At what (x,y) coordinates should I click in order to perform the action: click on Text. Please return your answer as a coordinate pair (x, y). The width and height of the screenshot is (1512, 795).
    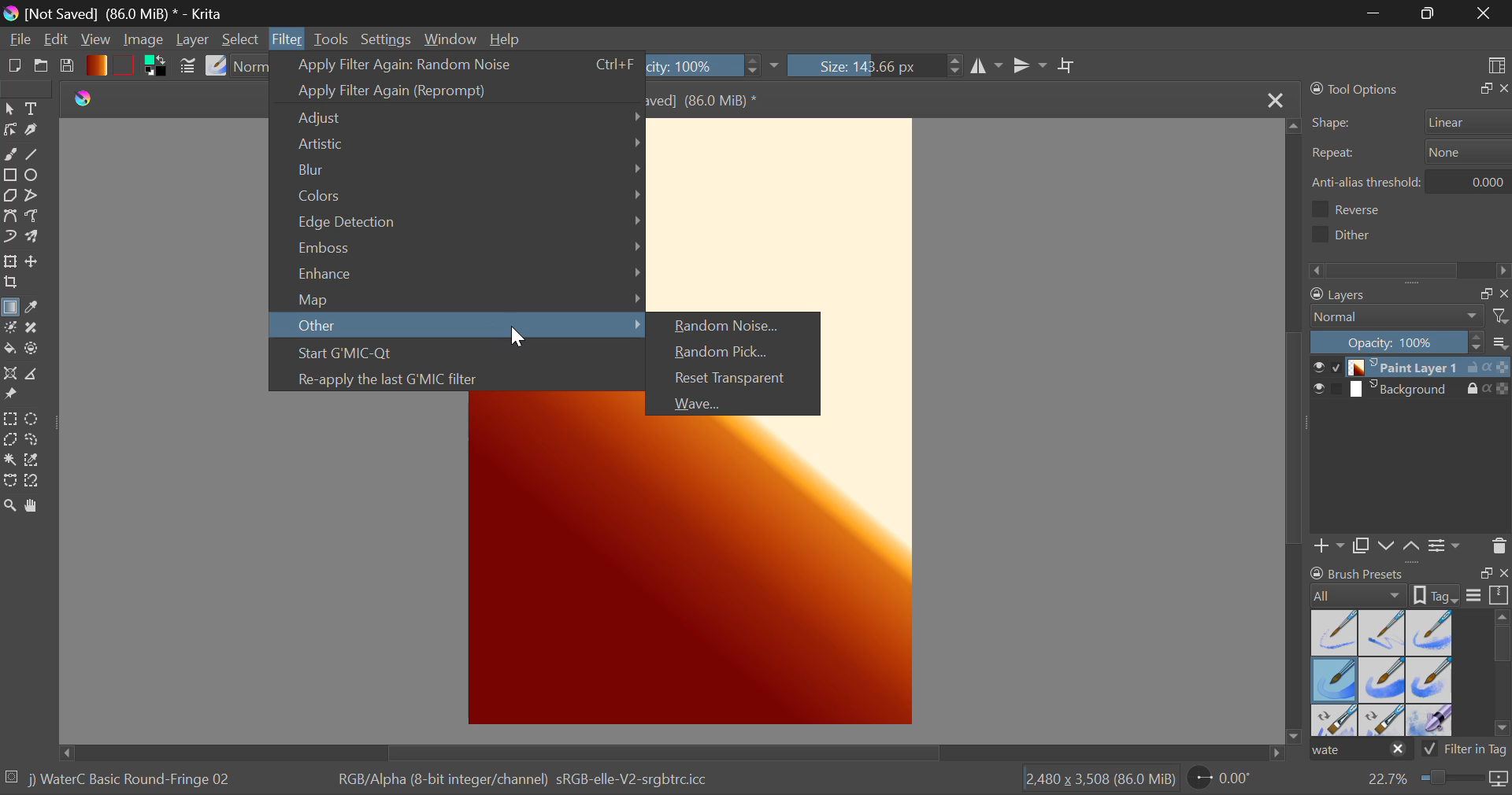
    Looking at the image, I should click on (35, 109).